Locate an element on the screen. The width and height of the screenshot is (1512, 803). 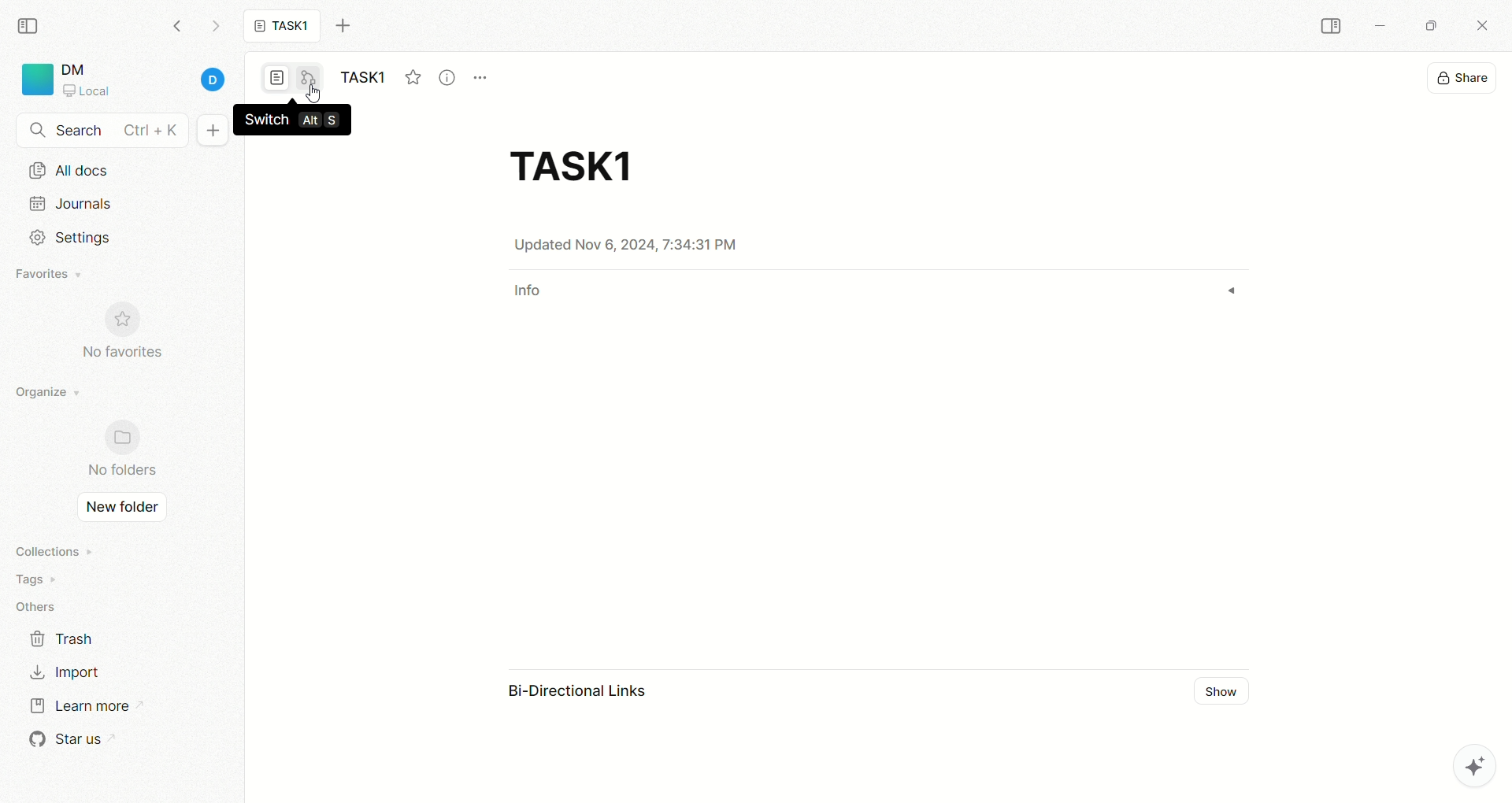
minimize is located at coordinates (1378, 28).